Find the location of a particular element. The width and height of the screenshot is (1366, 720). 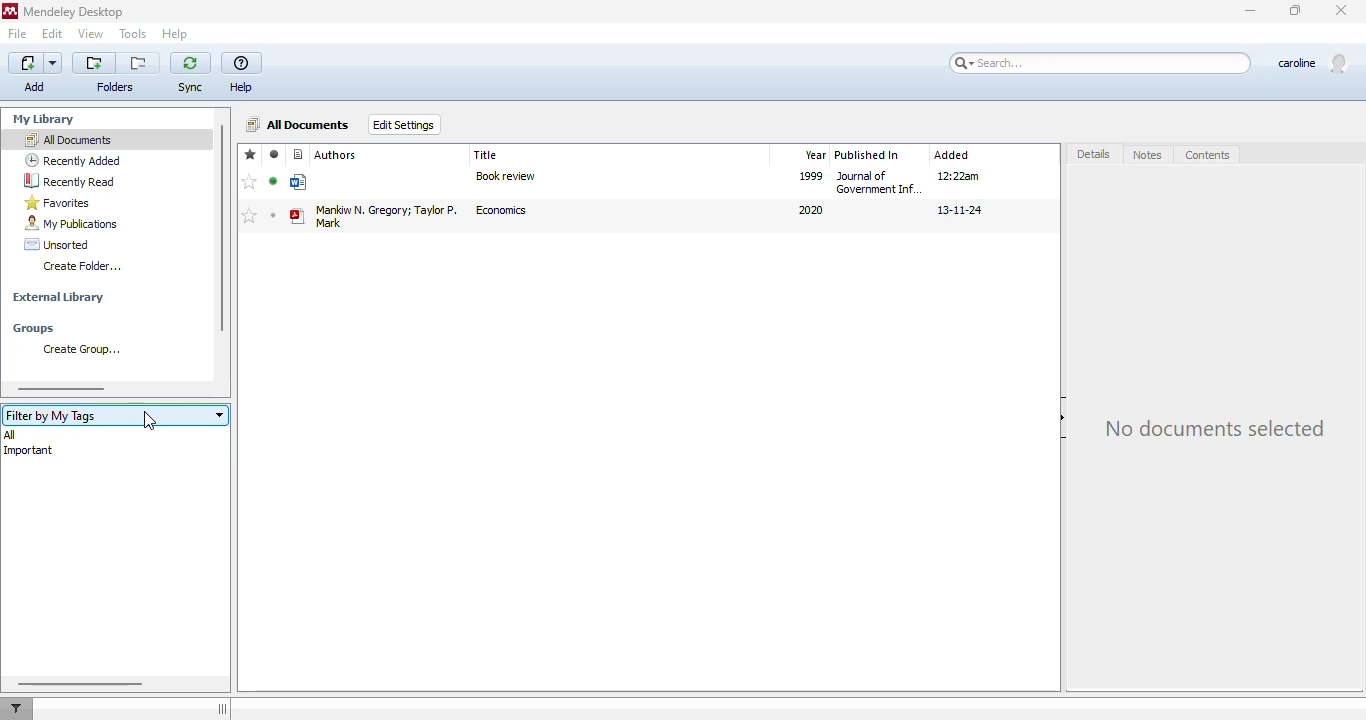

groups is located at coordinates (33, 329).